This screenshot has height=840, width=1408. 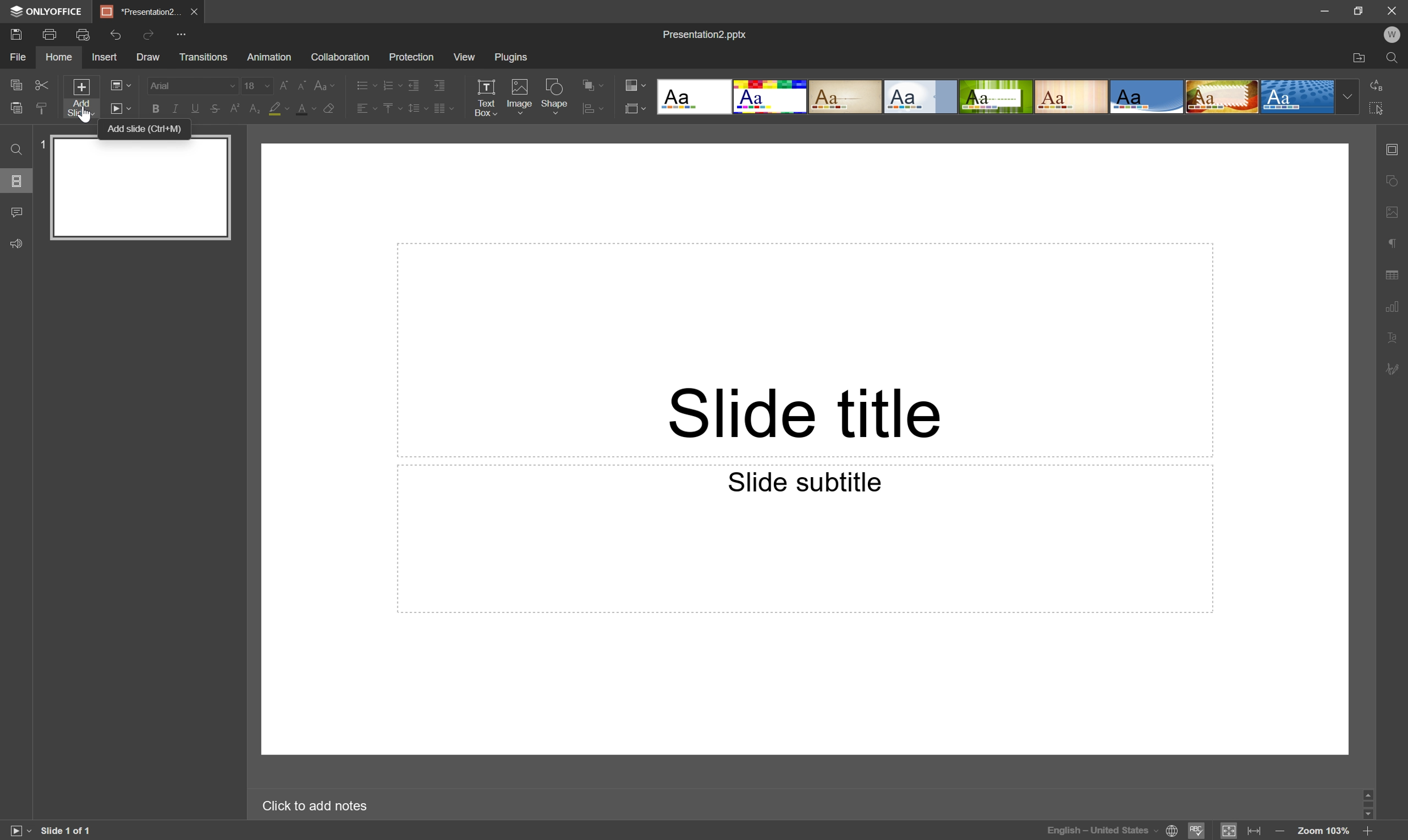 I want to click on File, so click(x=19, y=57).